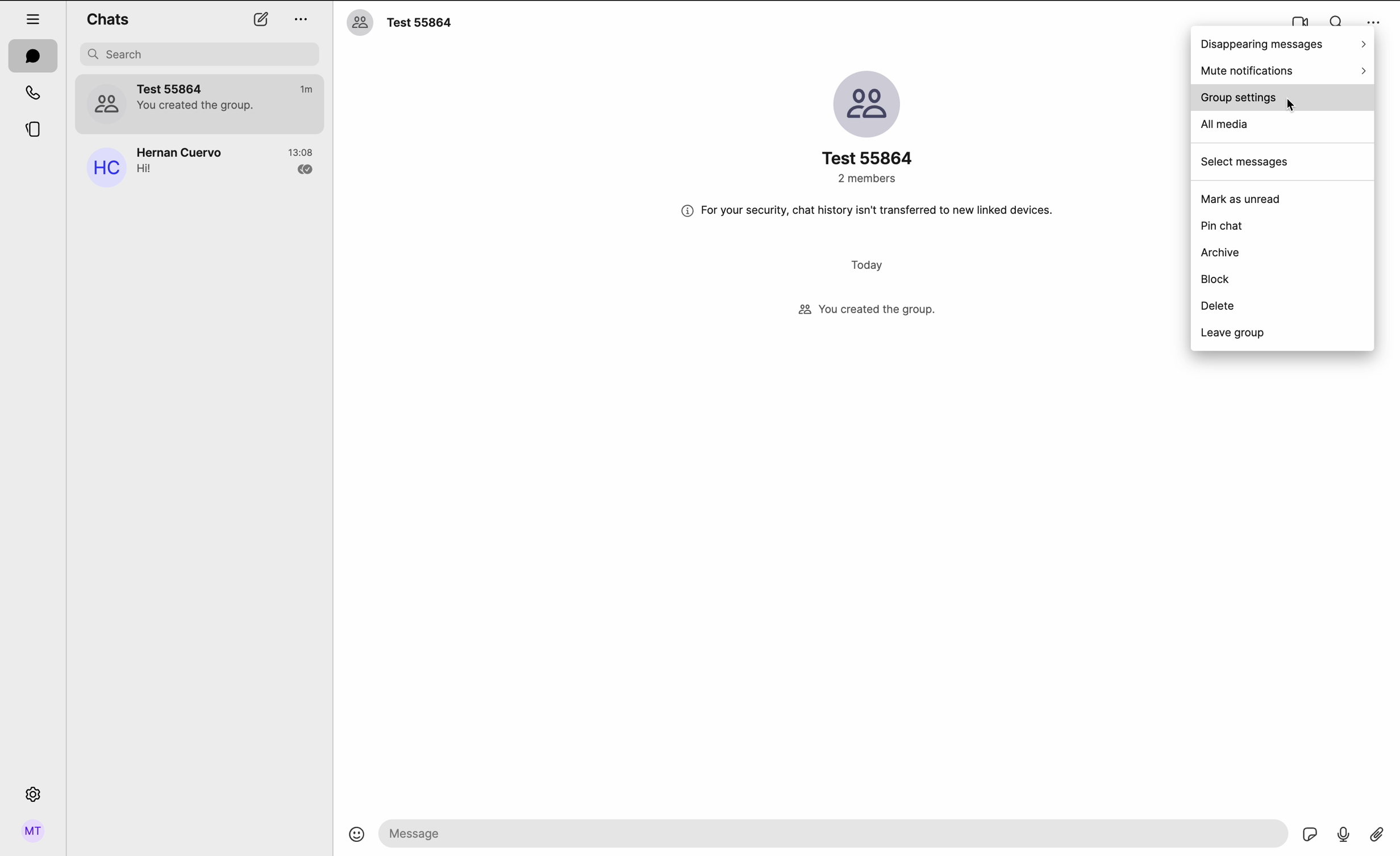 The image size is (1400, 856). What do you see at coordinates (107, 18) in the screenshot?
I see `chats` at bounding box center [107, 18].